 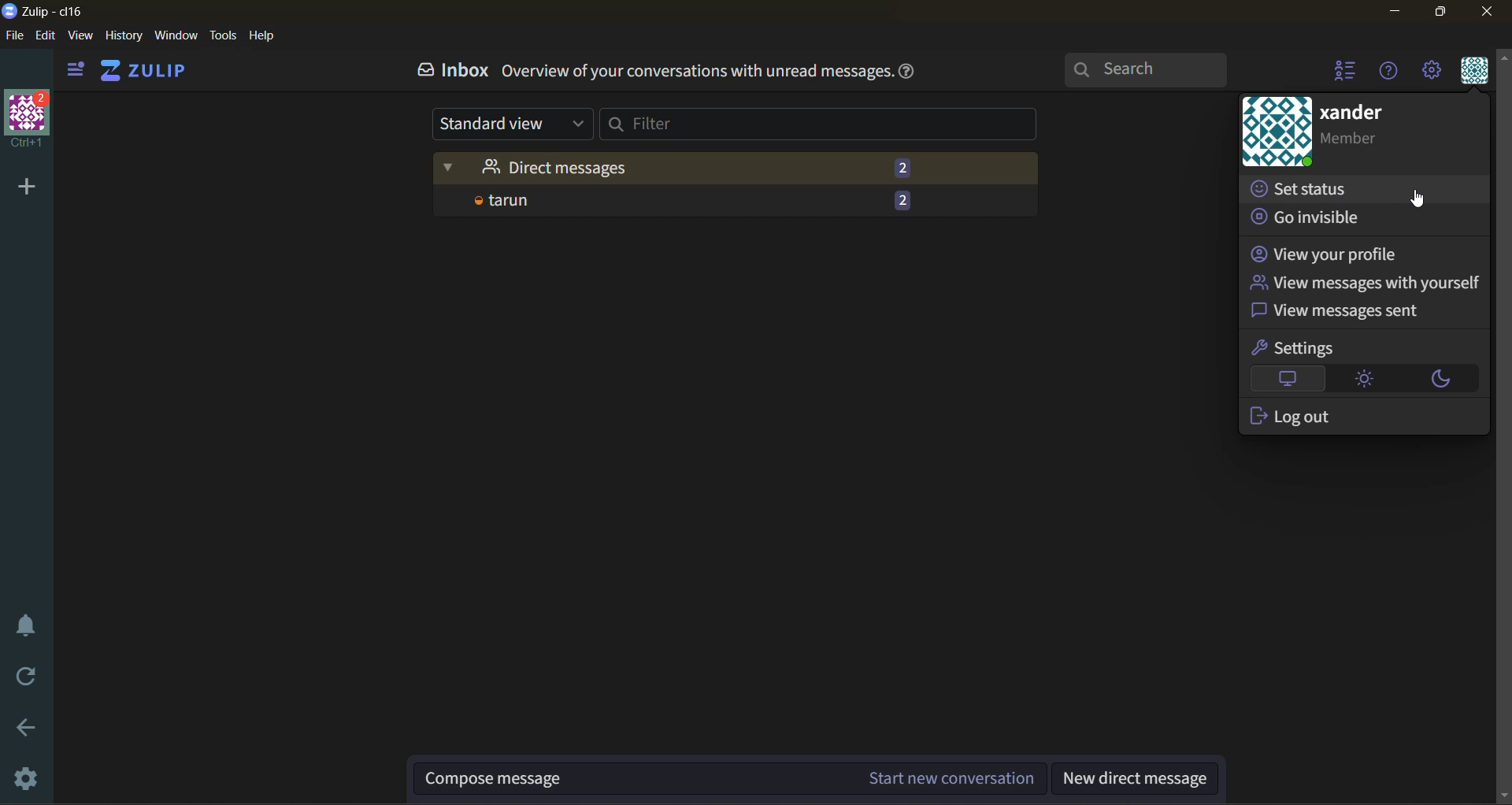 I want to click on Mouse Cursor, so click(x=1419, y=202).